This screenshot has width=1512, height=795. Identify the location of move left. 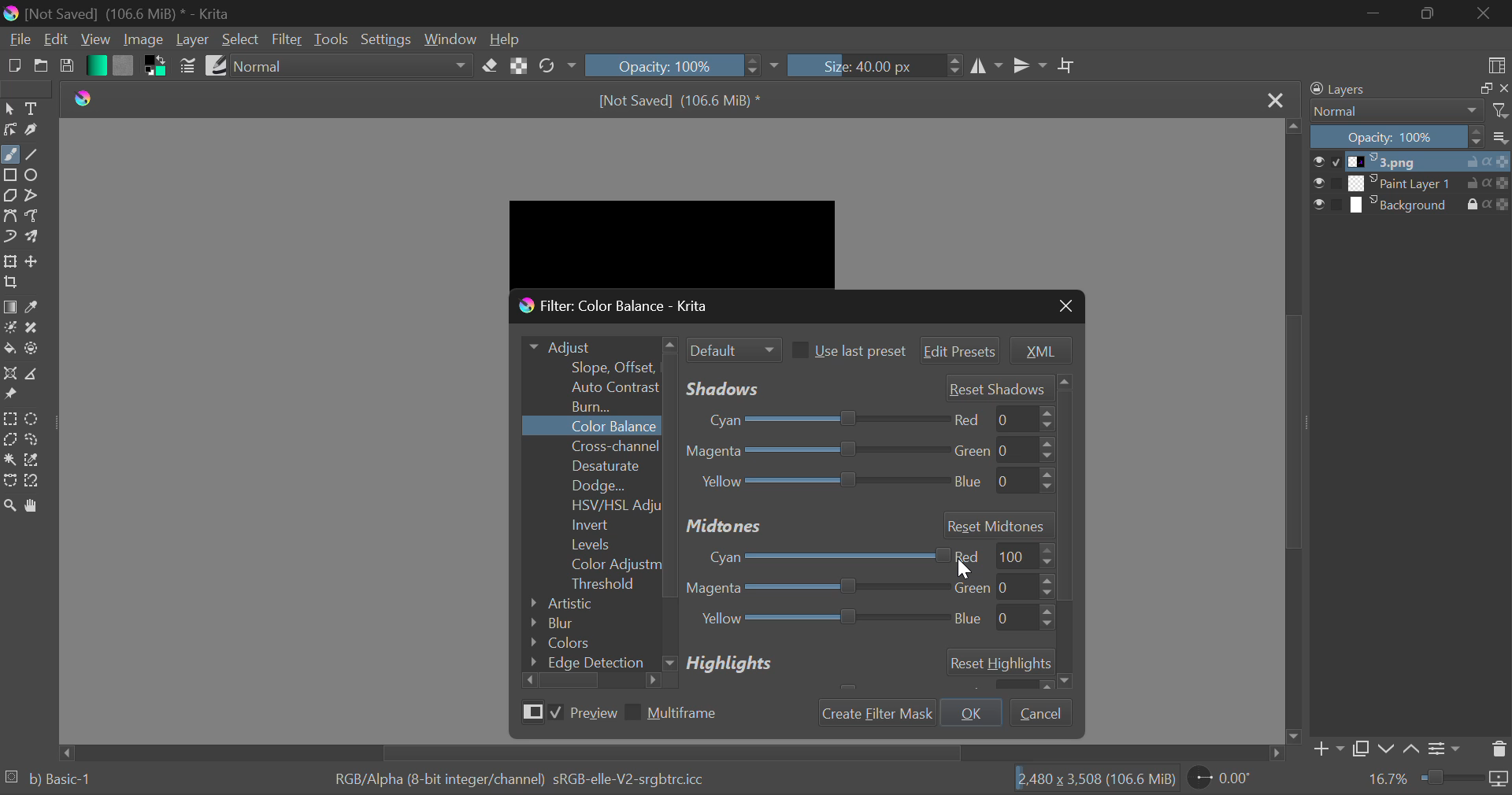
(69, 752).